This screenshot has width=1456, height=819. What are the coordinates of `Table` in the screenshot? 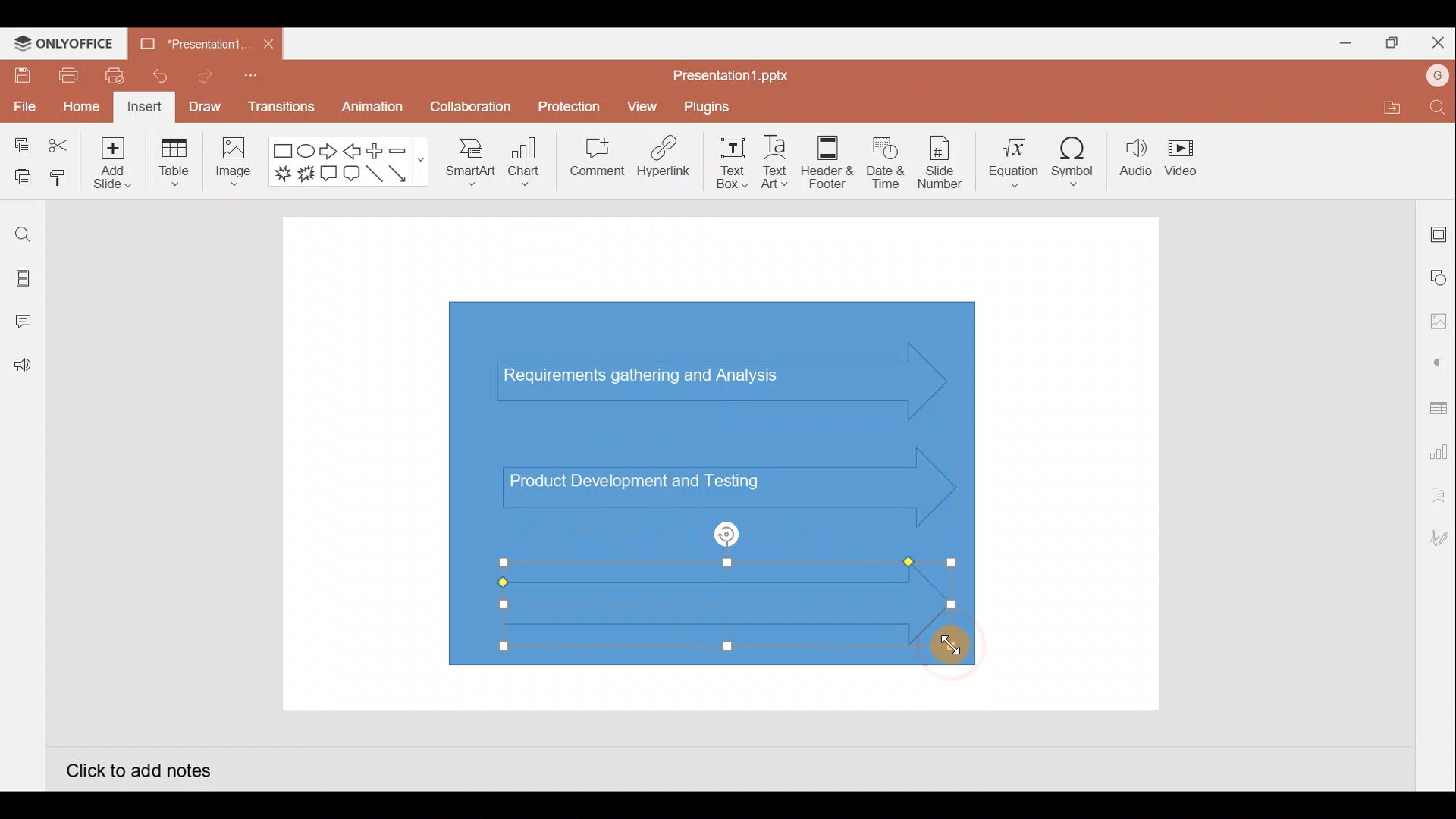 It's located at (176, 164).